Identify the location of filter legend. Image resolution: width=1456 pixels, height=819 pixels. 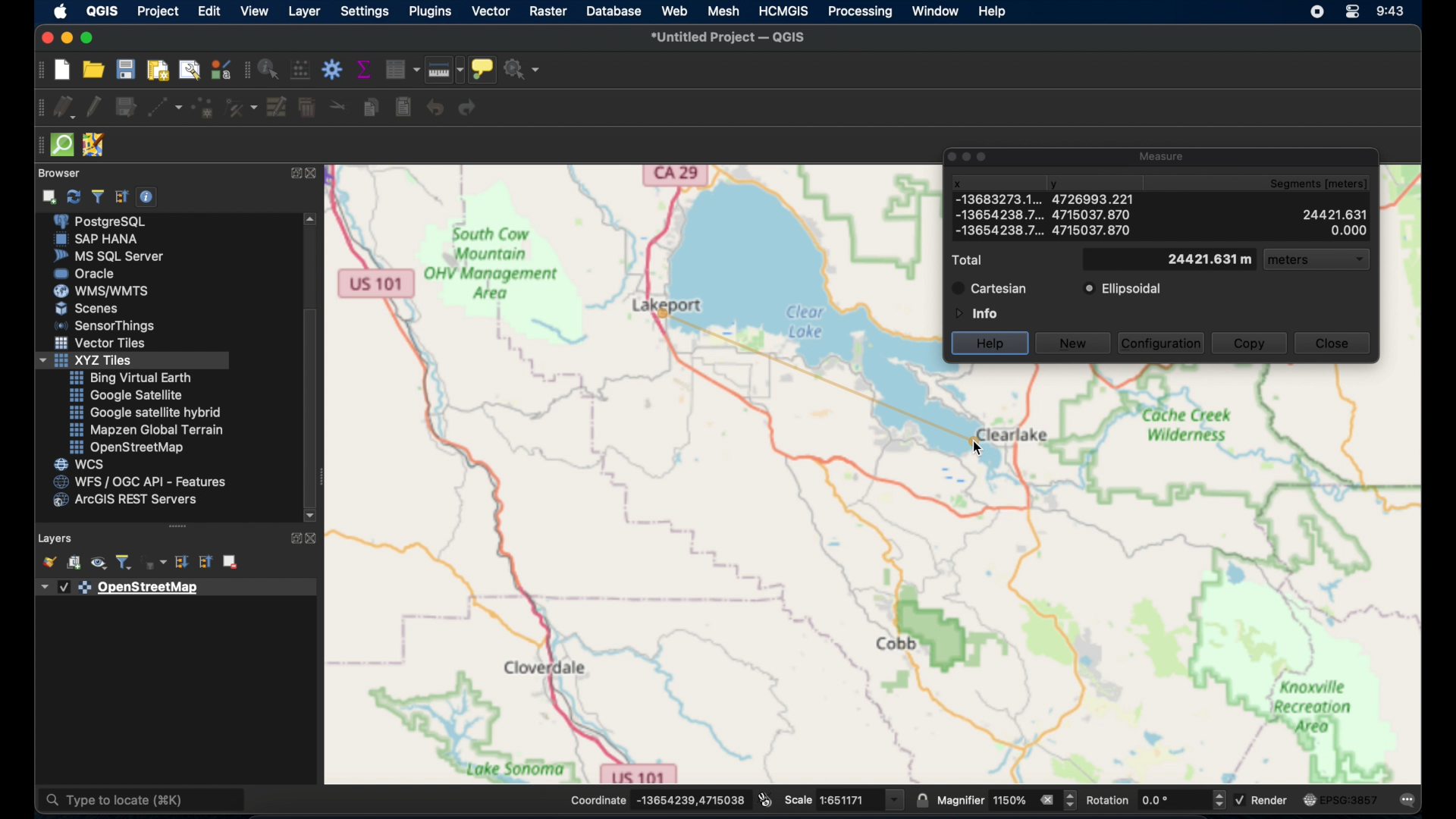
(126, 563).